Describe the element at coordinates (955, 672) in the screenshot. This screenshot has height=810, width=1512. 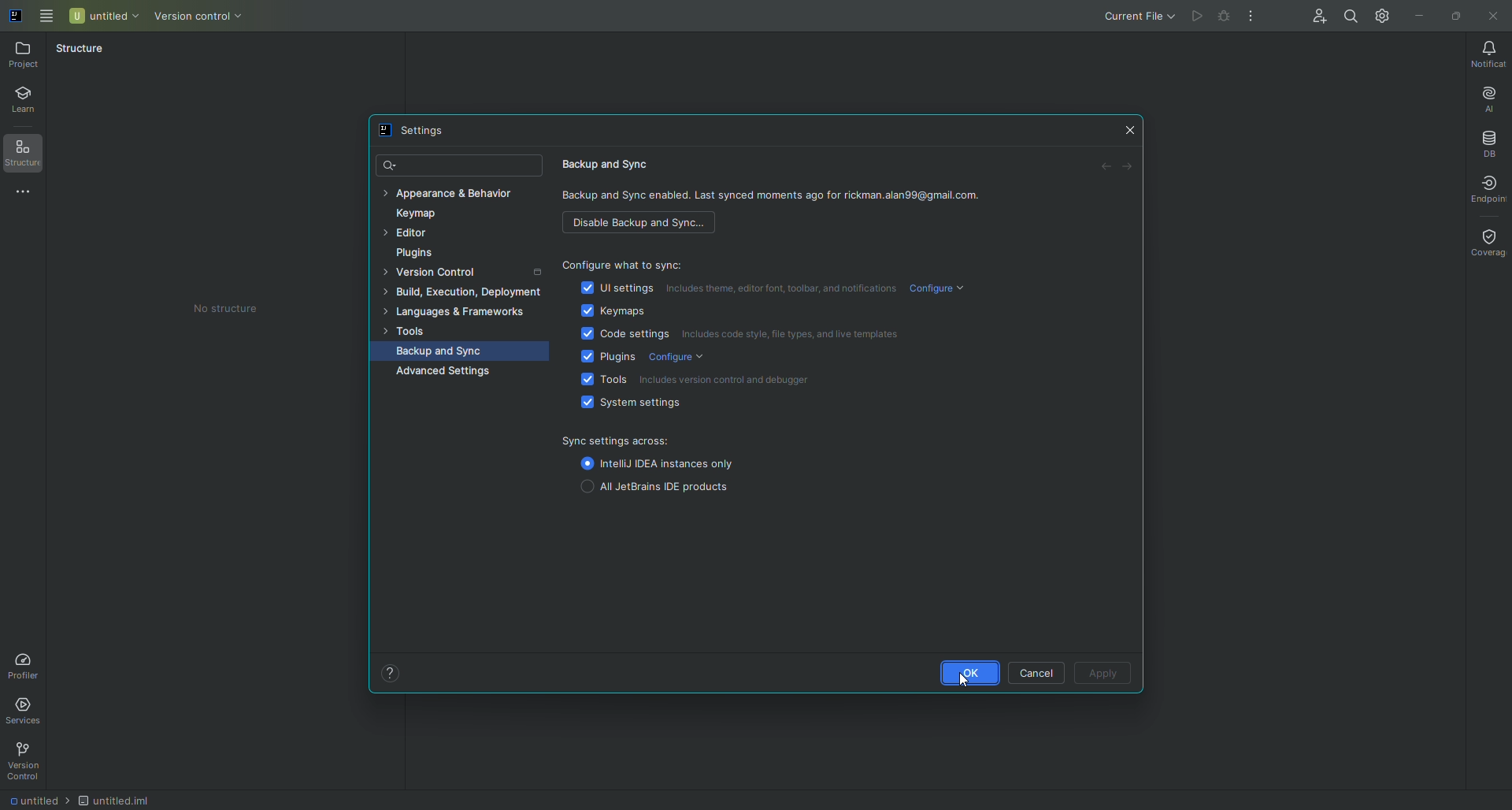
I see `OK` at that location.